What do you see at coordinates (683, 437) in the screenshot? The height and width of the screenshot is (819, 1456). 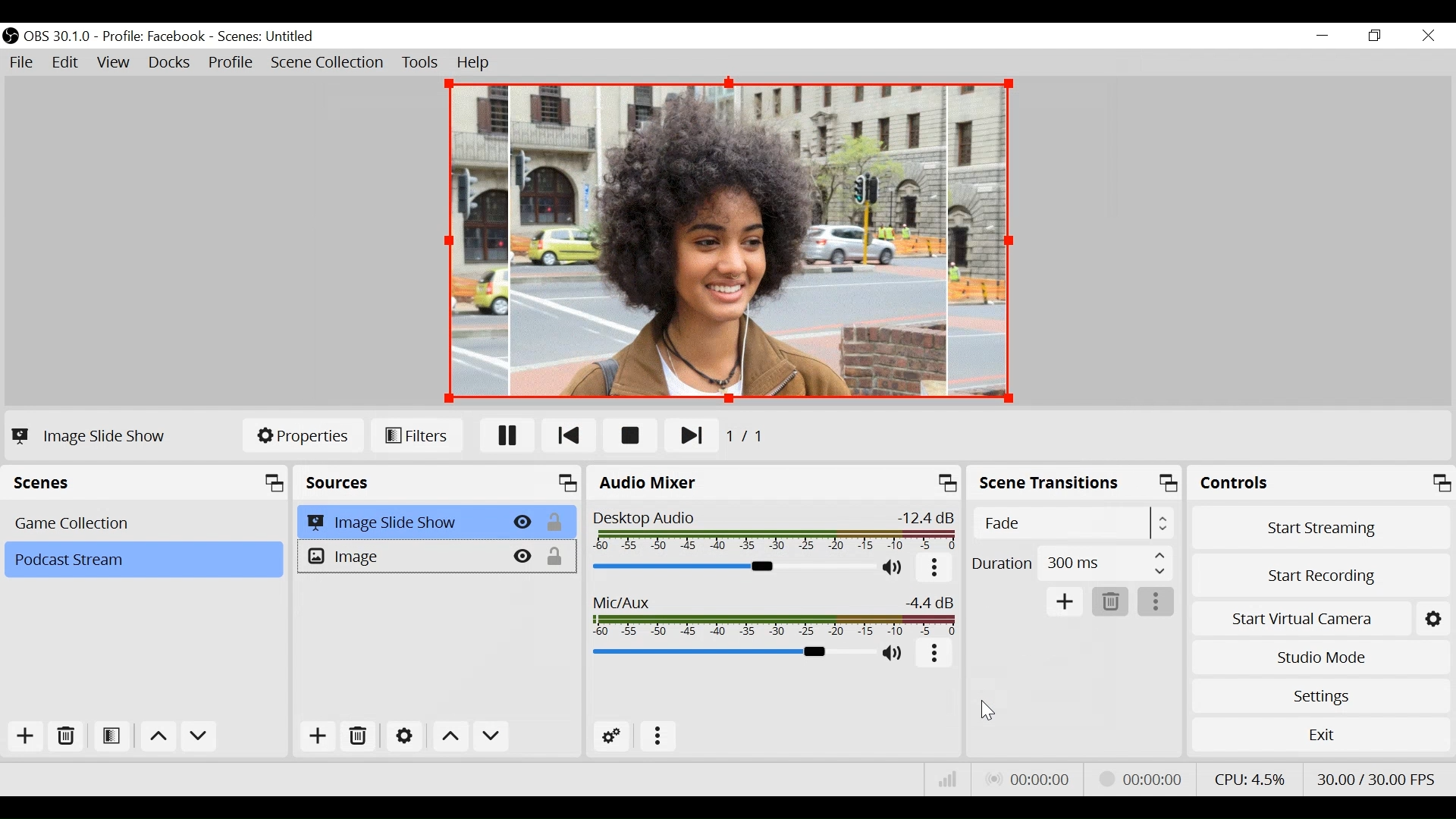 I see `Next` at bounding box center [683, 437].